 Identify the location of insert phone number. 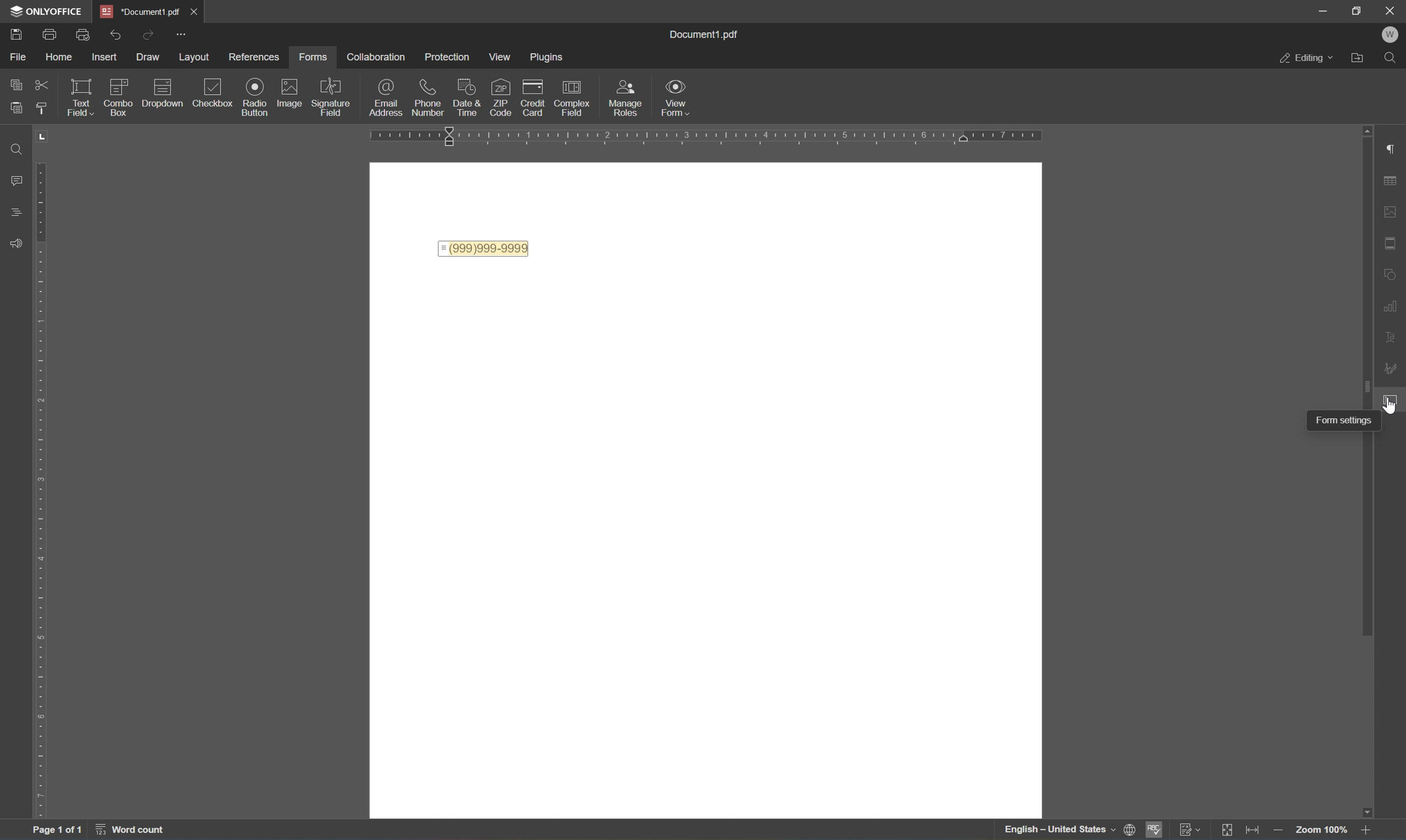
(498, 114).